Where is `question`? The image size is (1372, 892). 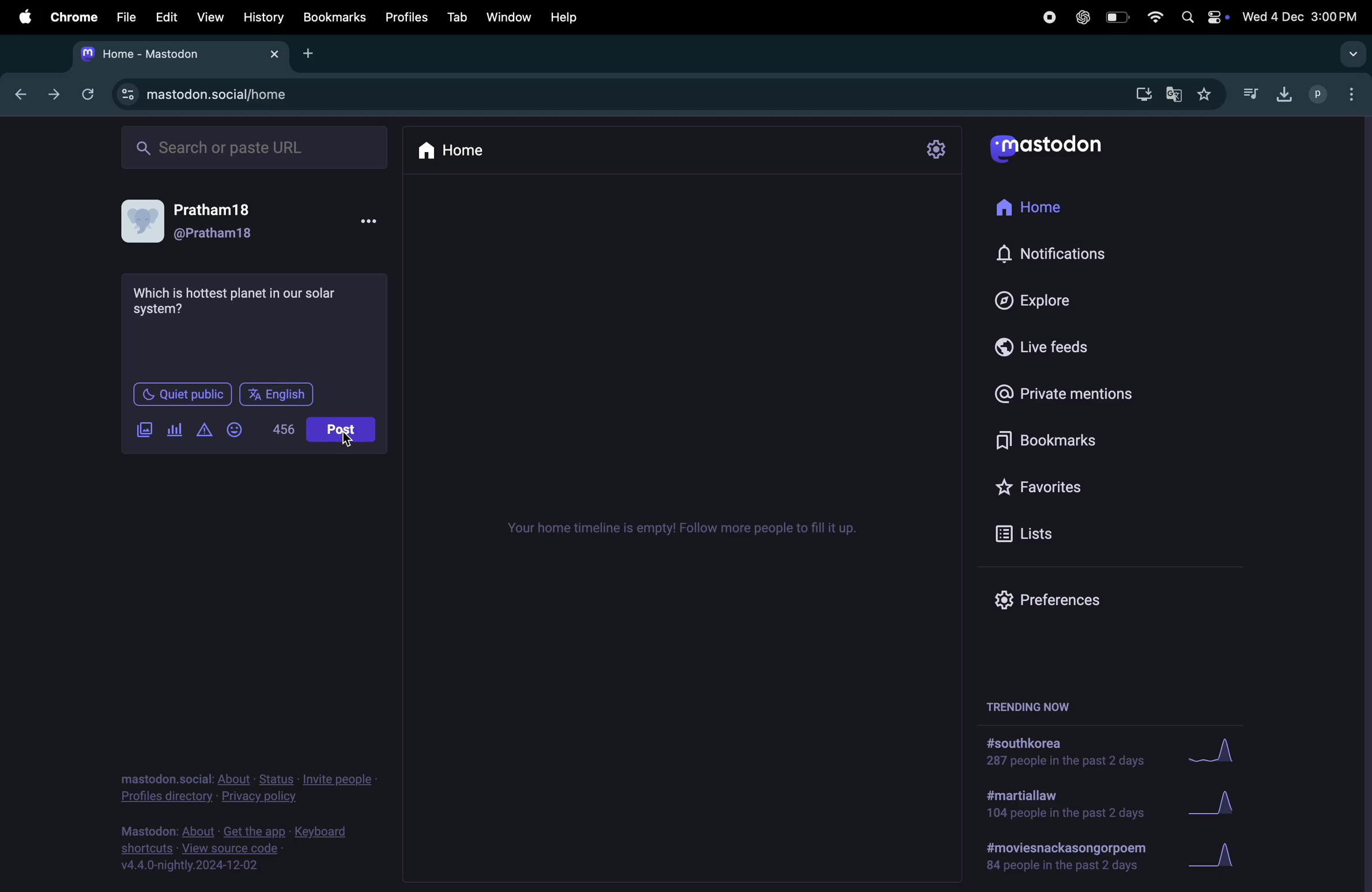 question is located at coordinates (239, 300).